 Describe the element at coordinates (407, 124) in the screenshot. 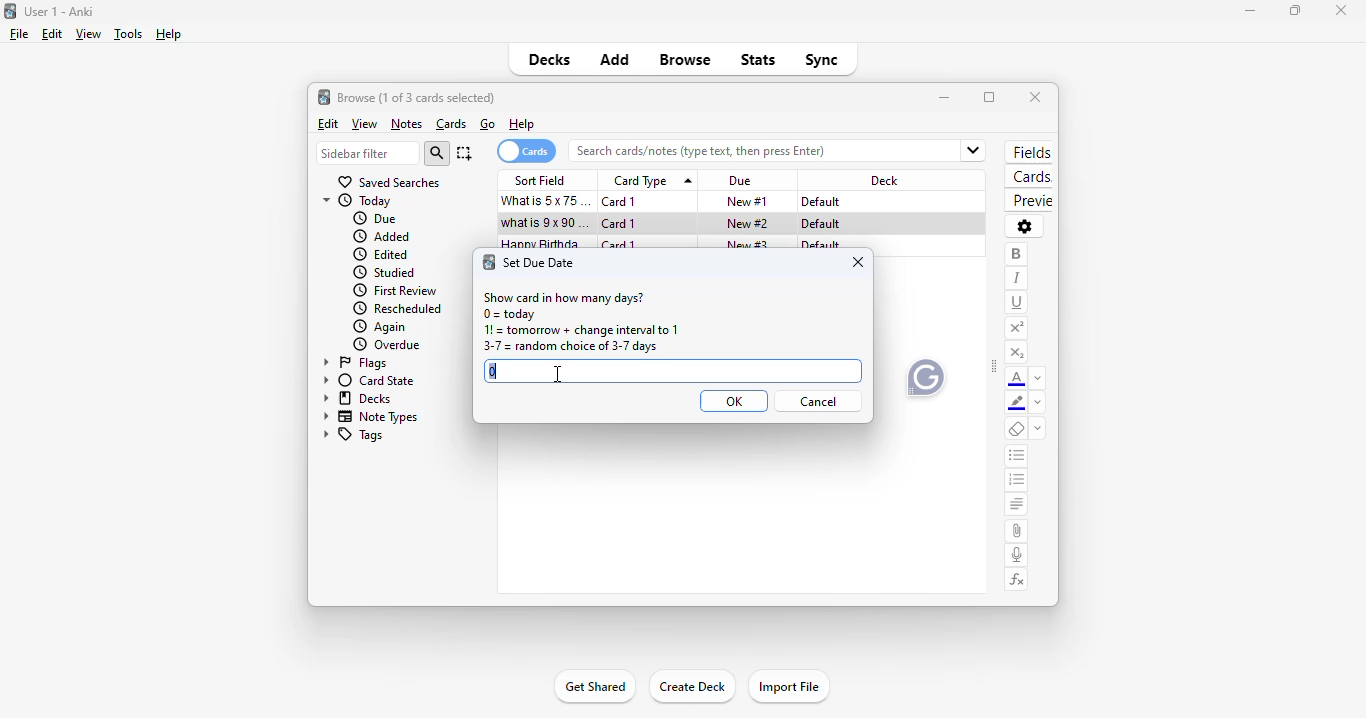

I see `notes` at that location.